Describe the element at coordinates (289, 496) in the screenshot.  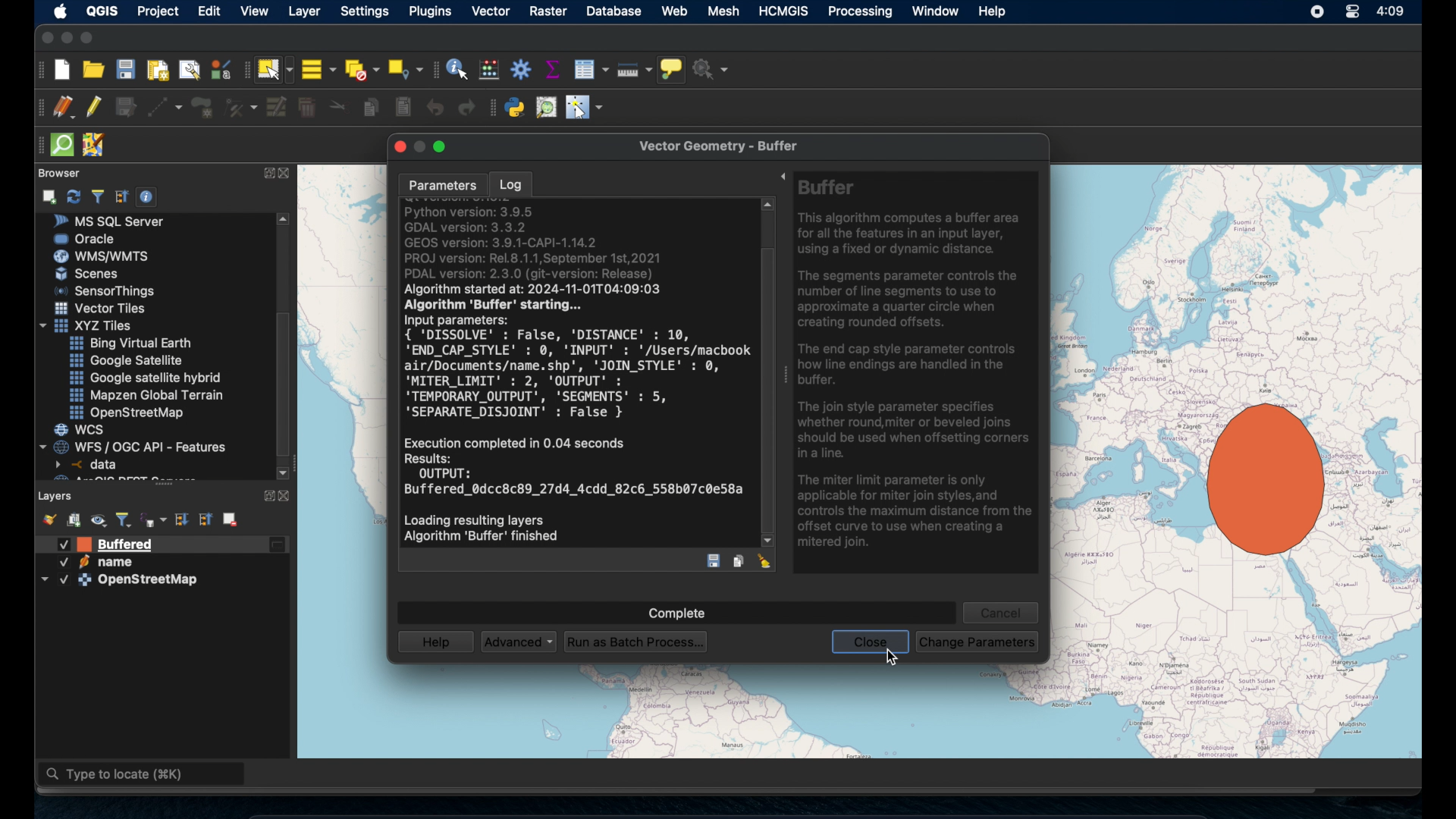
I see `close` at that location.